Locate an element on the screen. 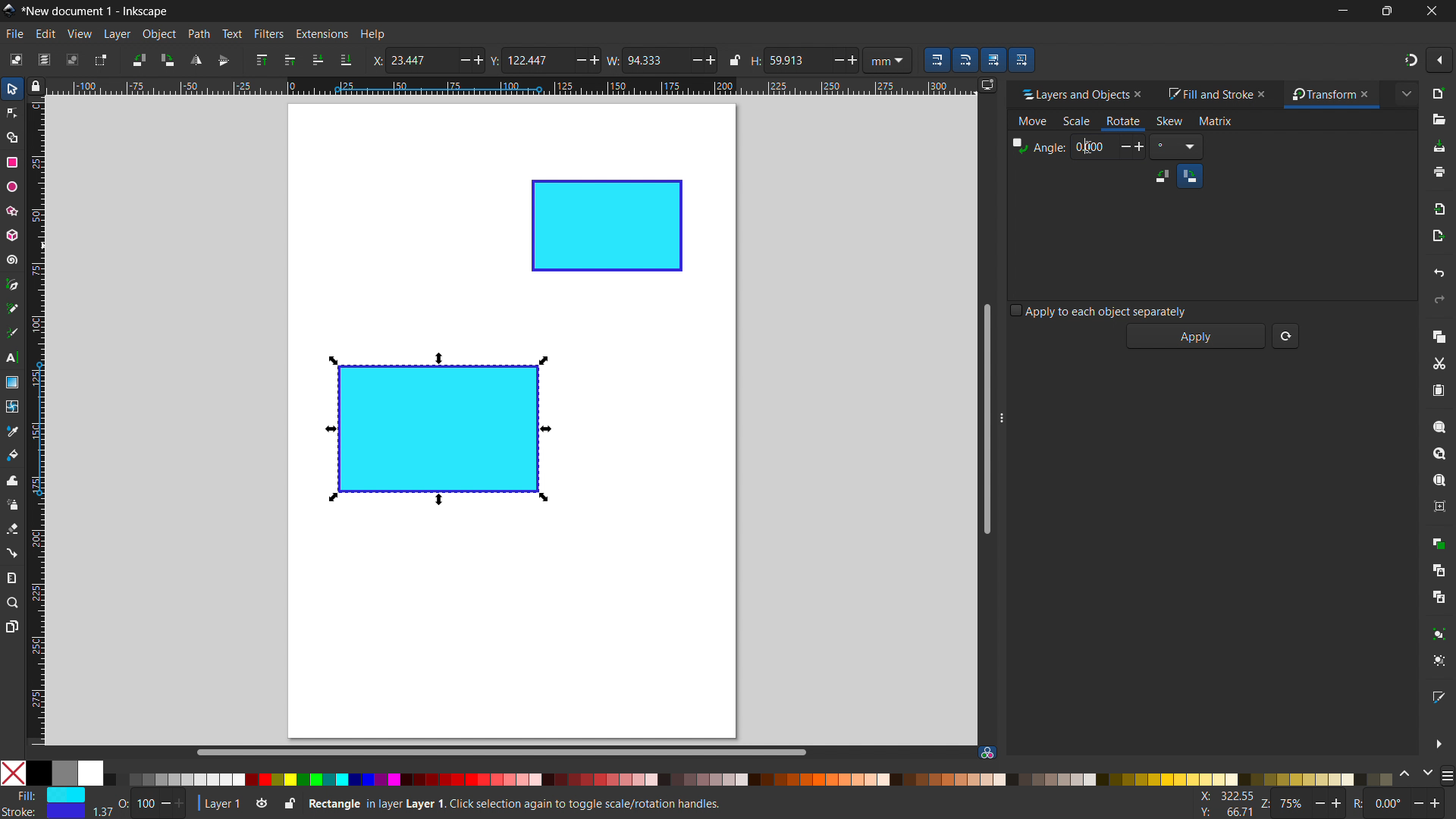 The height and width of the screenshot is (819, 1456). R: 0.00 is located at coordinates (1401, 805).